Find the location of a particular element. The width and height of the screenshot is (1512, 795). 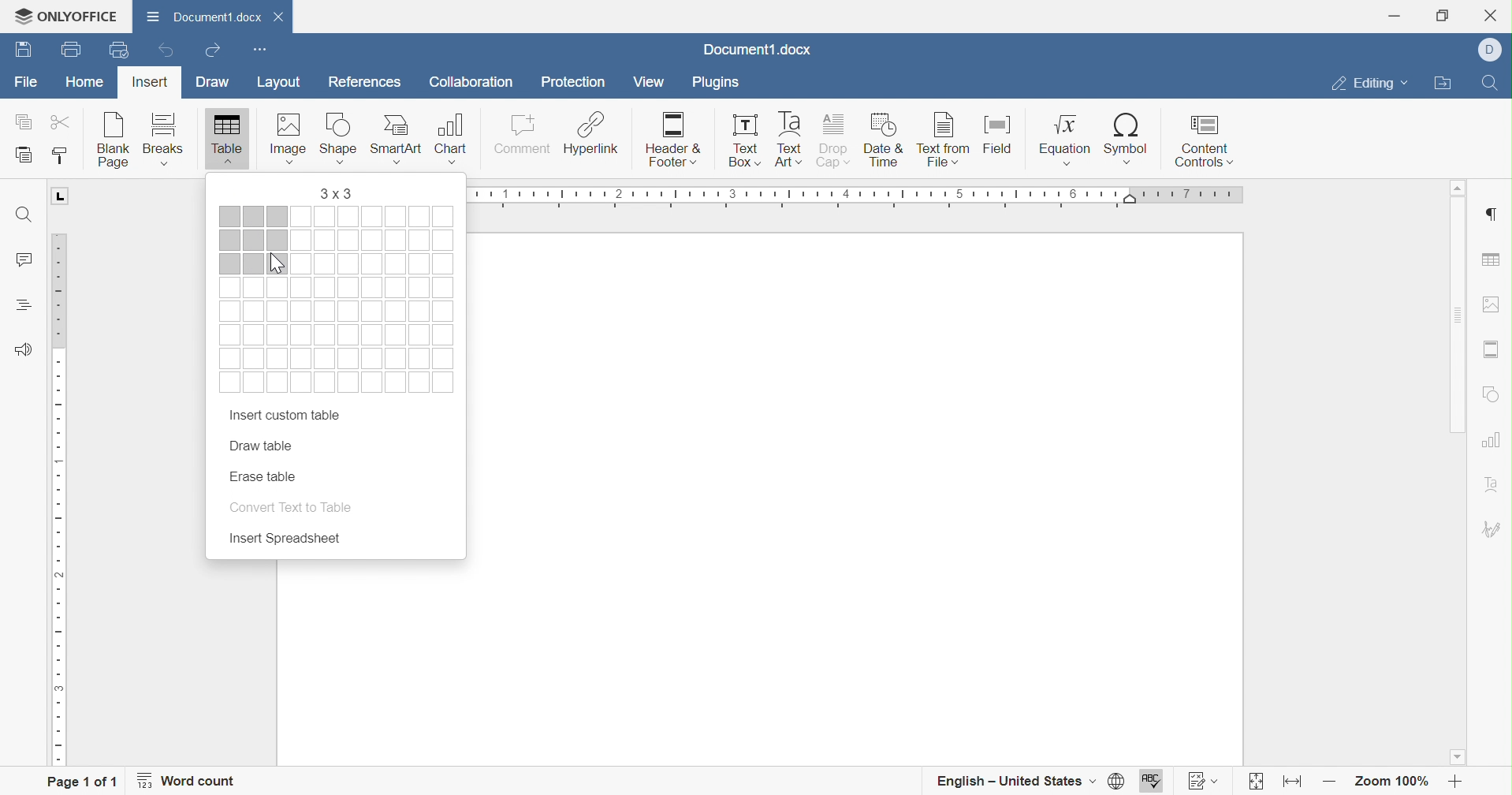

Table settings is located at coordinates (1494, 259).